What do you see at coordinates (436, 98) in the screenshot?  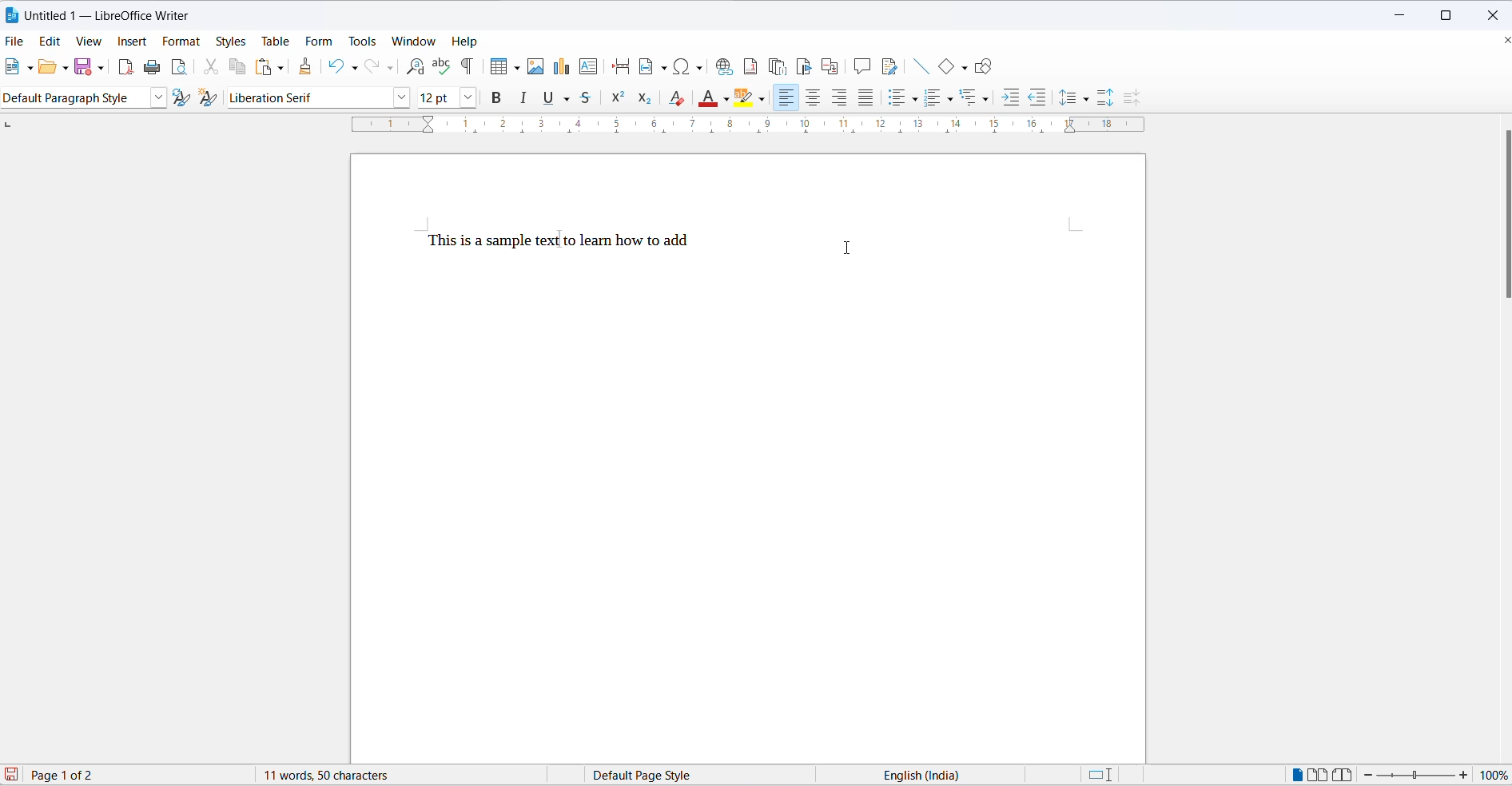 I see `font size` at bounding box center [436, 98].